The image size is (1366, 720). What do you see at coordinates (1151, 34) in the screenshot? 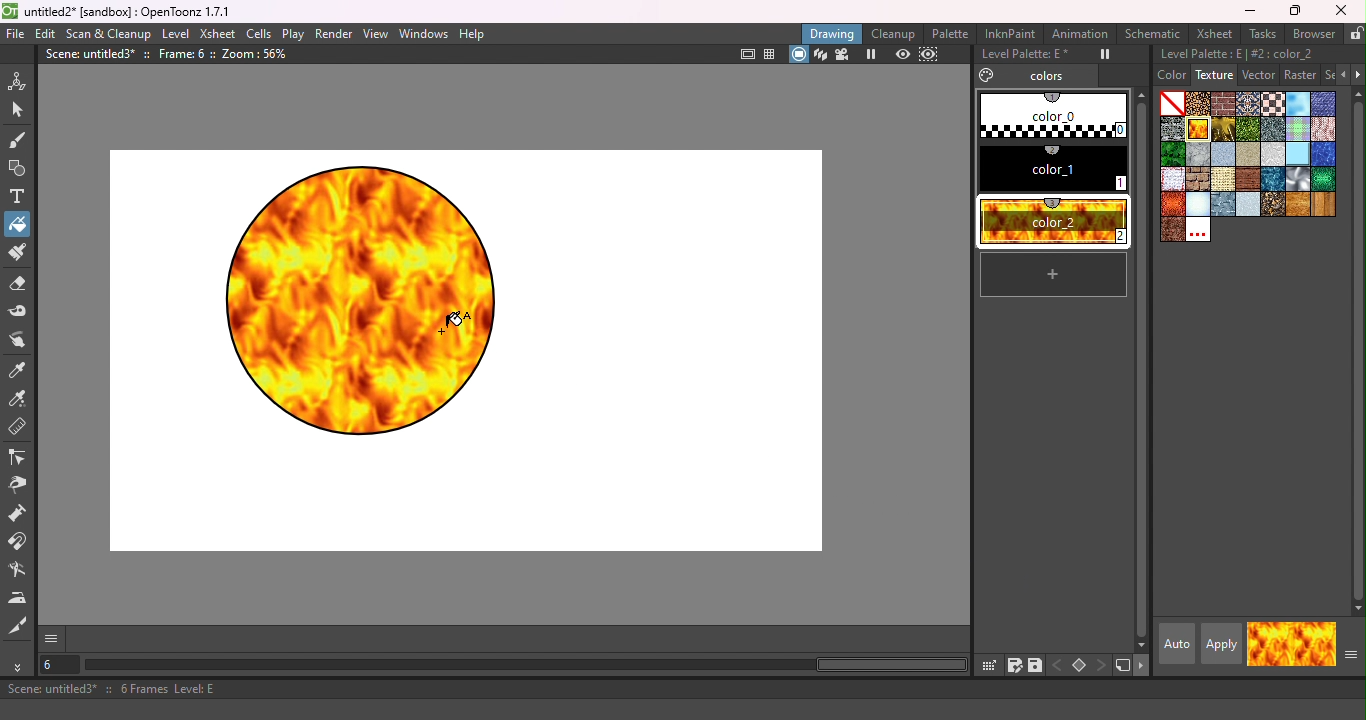
I see `Schematic` at bounding box center [1151, 34].